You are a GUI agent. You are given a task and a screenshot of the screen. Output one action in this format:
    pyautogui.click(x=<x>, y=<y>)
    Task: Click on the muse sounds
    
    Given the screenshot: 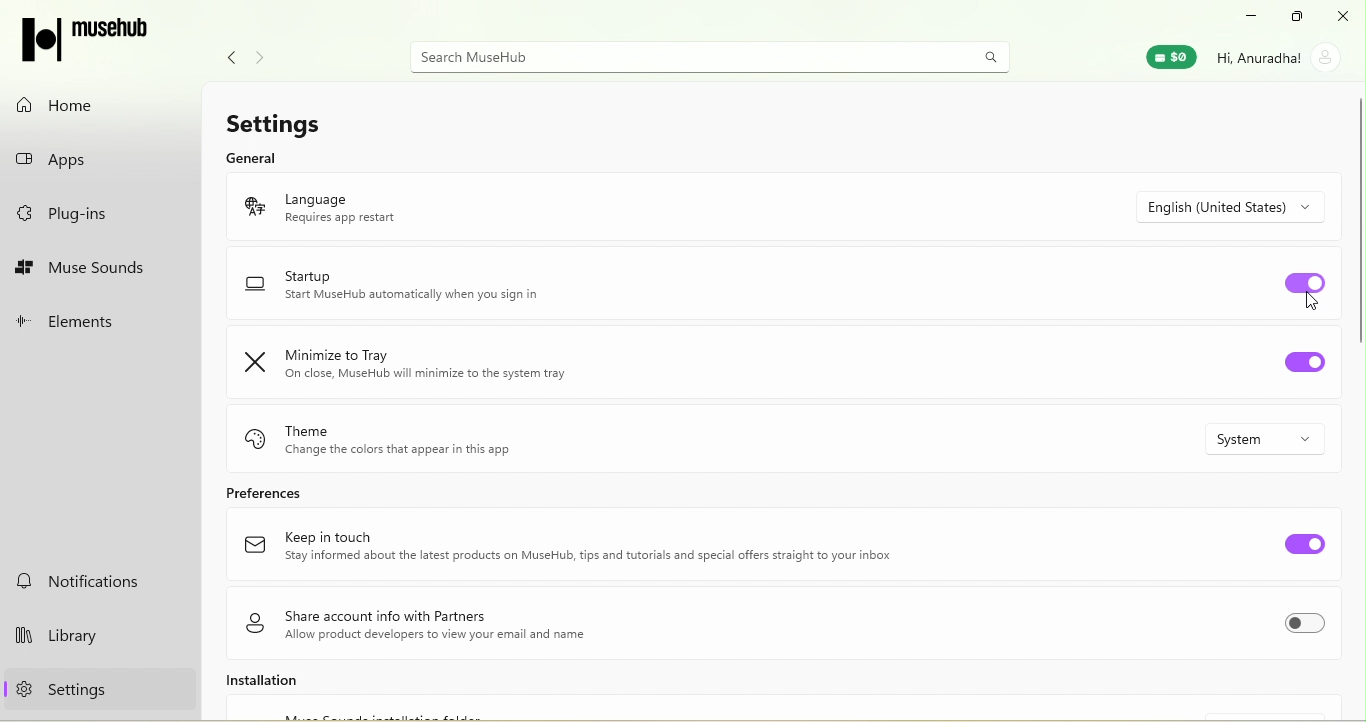 What is the action you would take?
    pyautogui.click(x=97, y=267)
    